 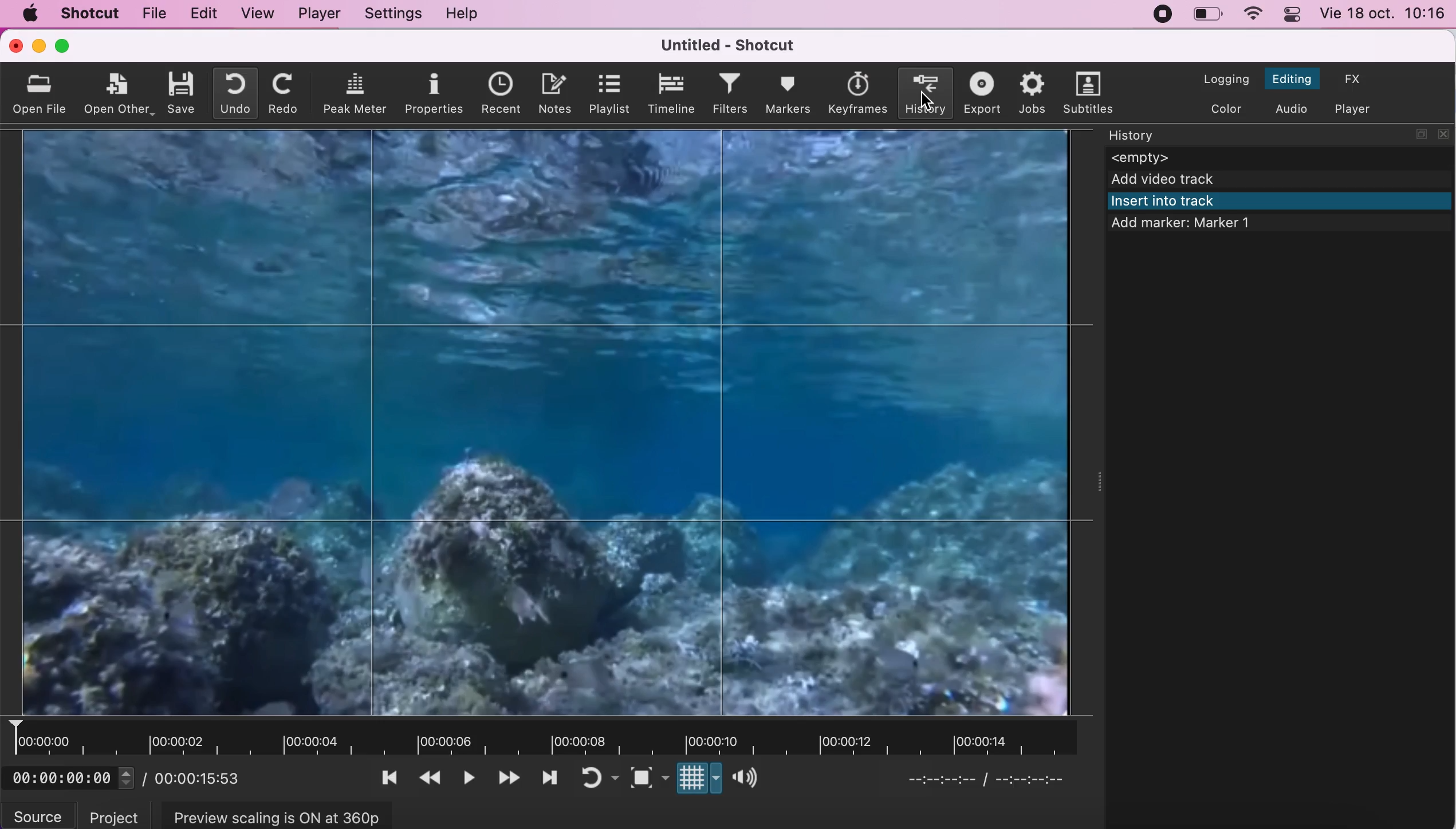 What do you see at coordinates (728, 93) in the screenshot?
I see `filters` at bounding box center [728, 93].